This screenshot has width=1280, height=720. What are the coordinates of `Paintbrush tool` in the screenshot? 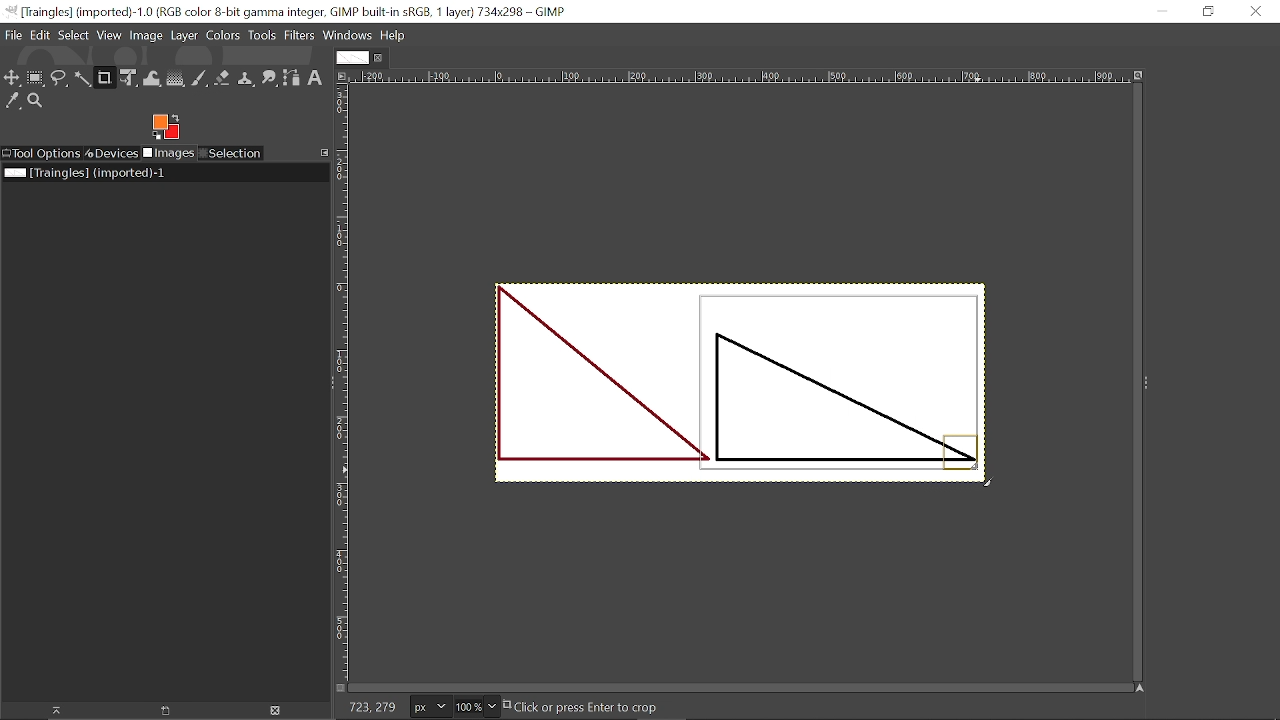 It's located at (199, 79).